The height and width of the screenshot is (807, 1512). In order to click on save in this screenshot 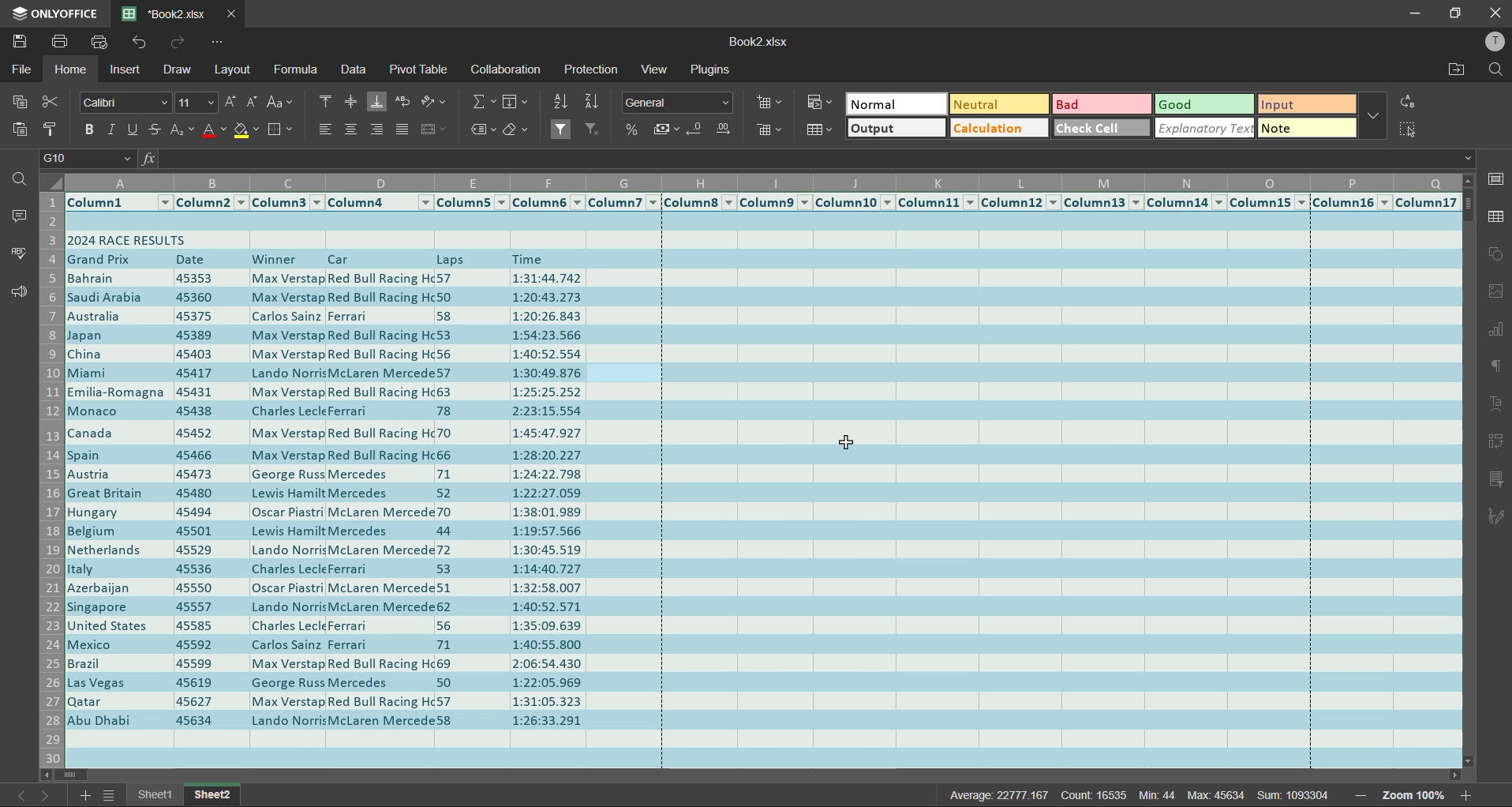, I will do `click(22, 43)`.